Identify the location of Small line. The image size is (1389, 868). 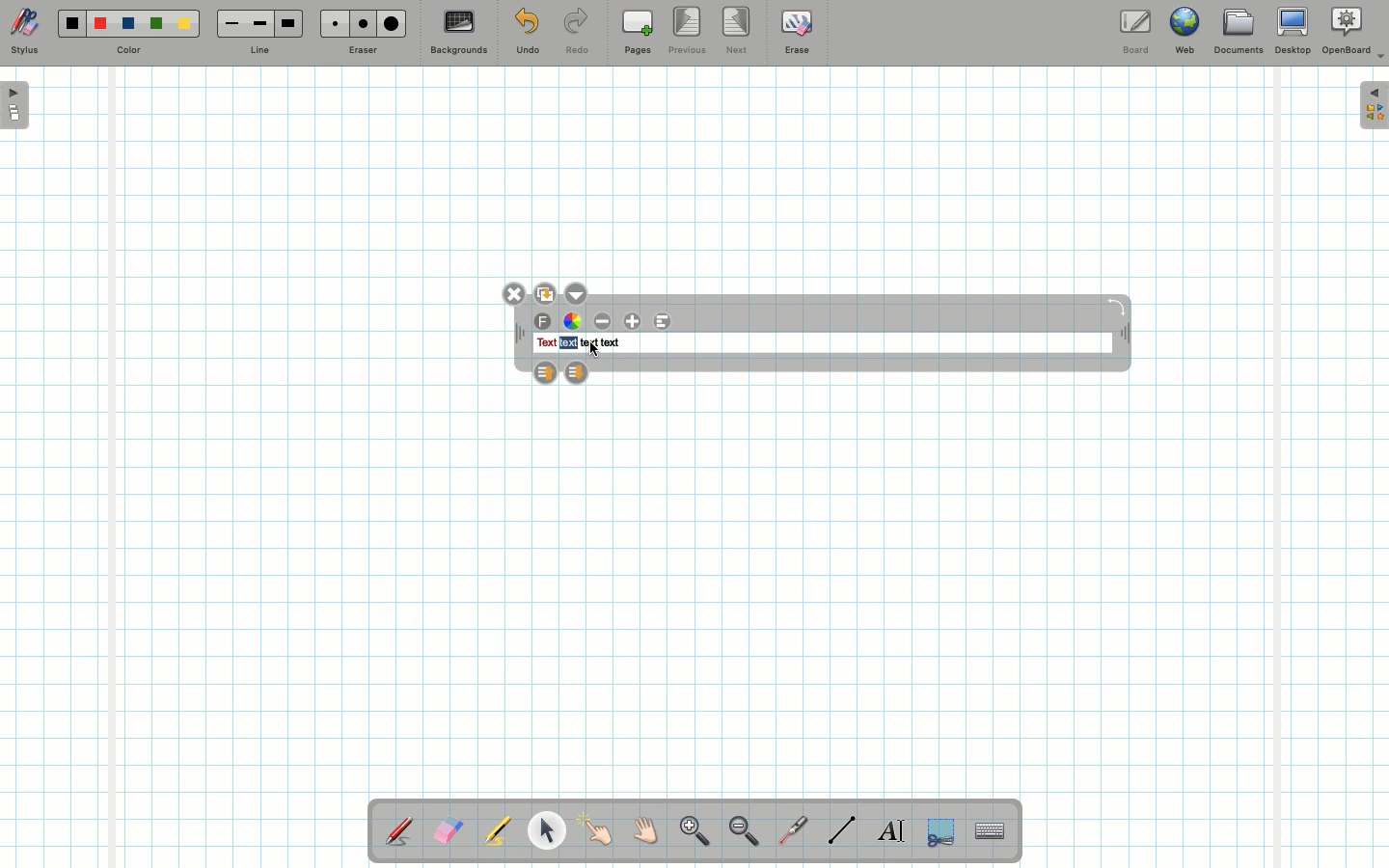
(229, 24).